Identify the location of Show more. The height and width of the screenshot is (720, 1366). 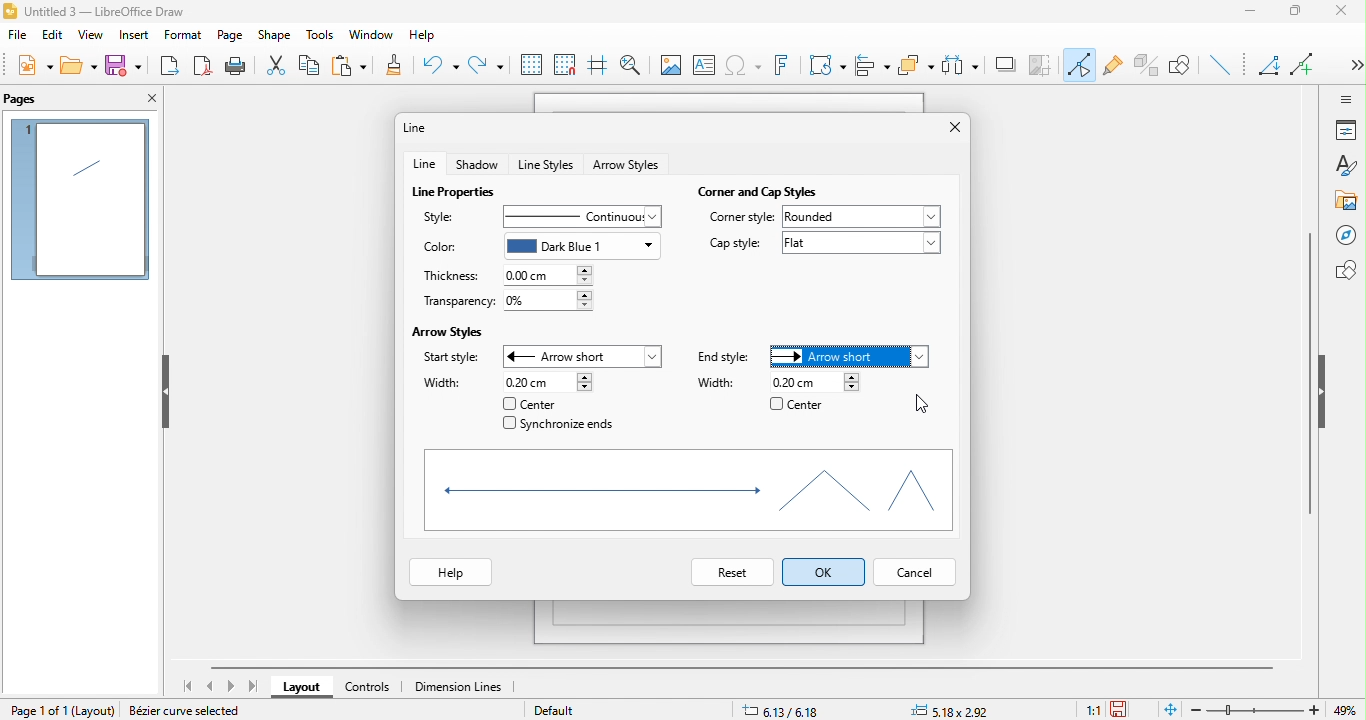
(1349, 58).